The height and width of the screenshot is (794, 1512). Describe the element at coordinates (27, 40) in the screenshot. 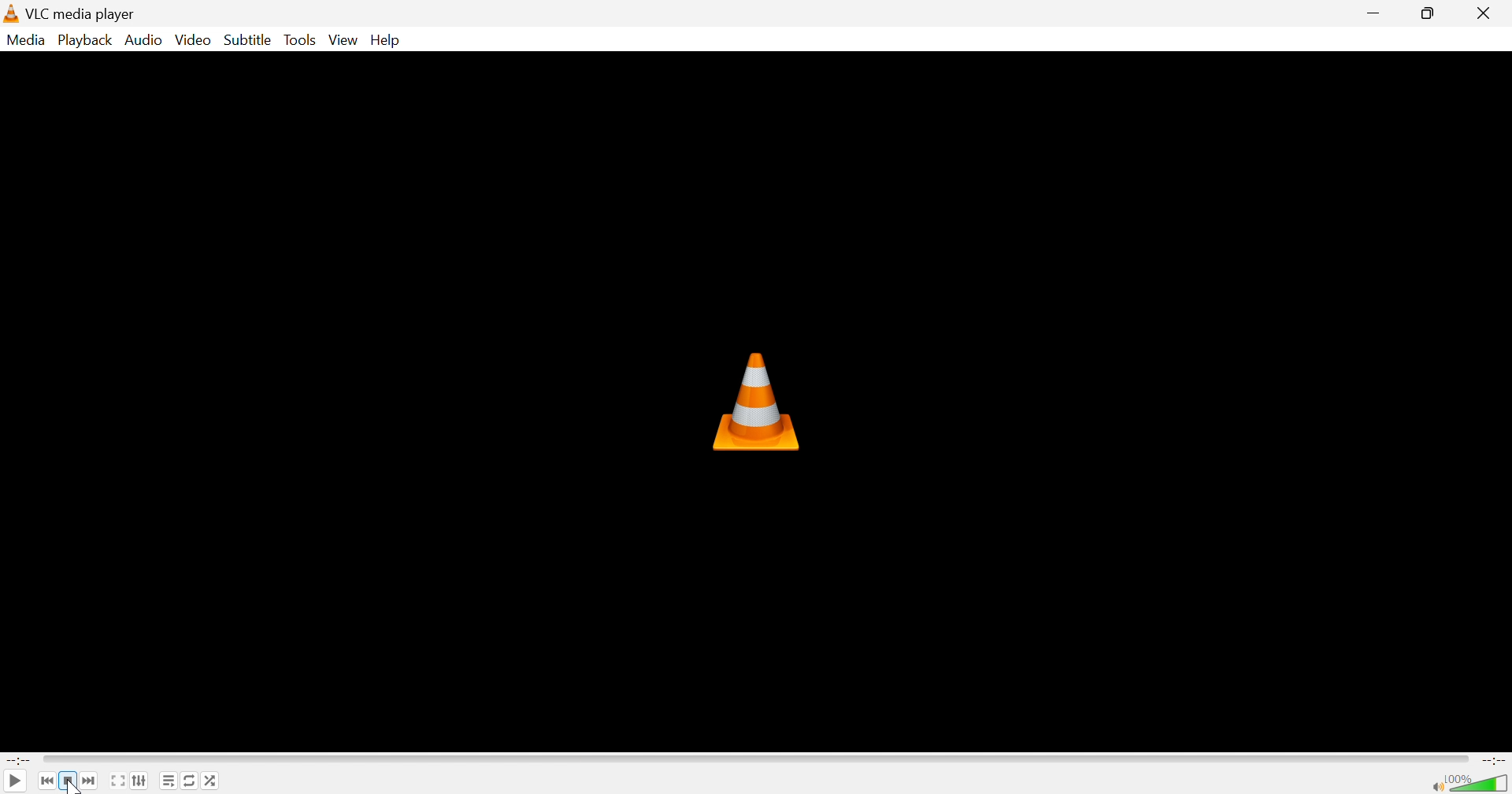

I see `Media` at that location.